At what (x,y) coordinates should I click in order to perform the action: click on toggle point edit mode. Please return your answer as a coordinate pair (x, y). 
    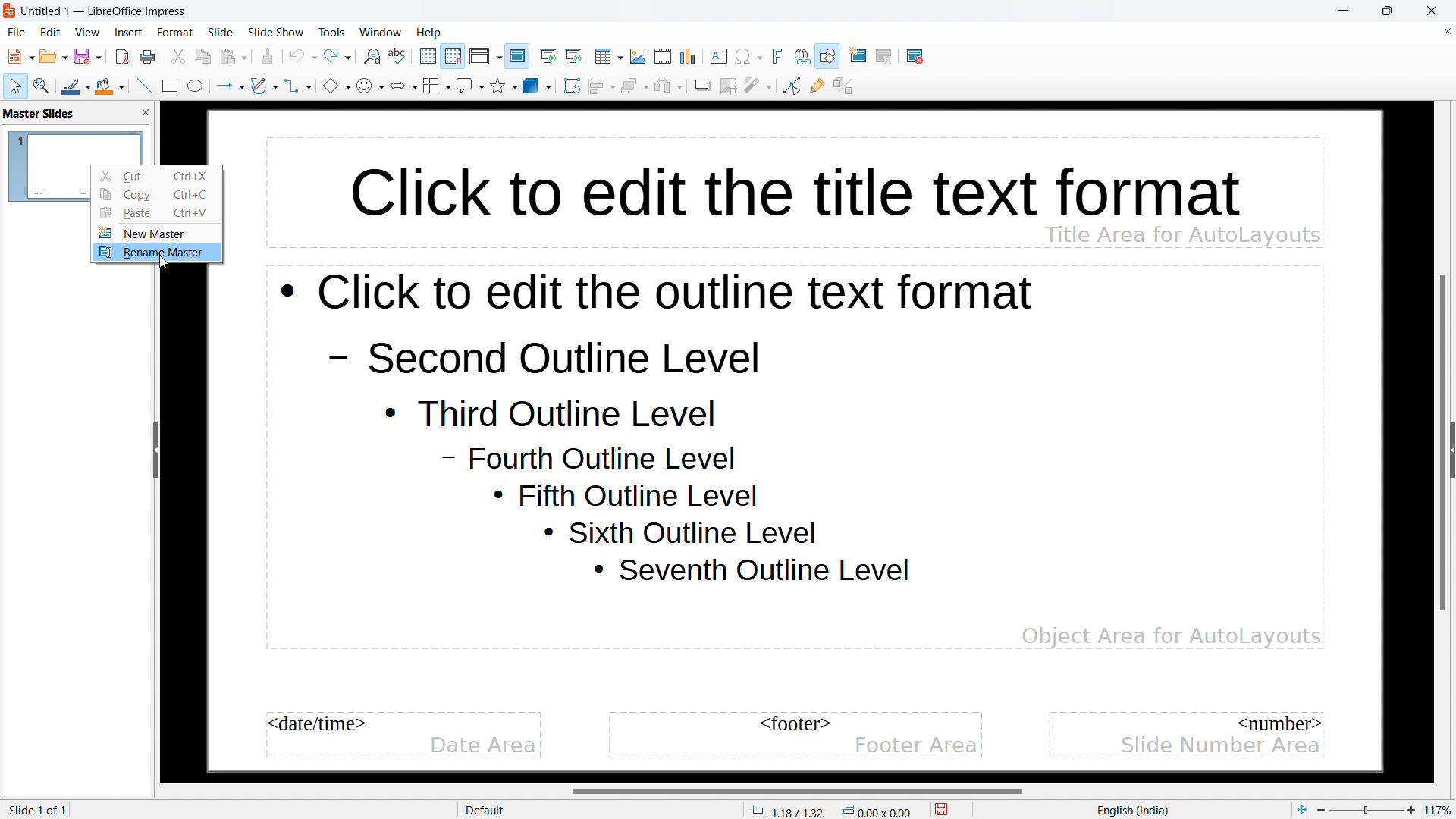
    Looking at the image, I should click on (792, 86).